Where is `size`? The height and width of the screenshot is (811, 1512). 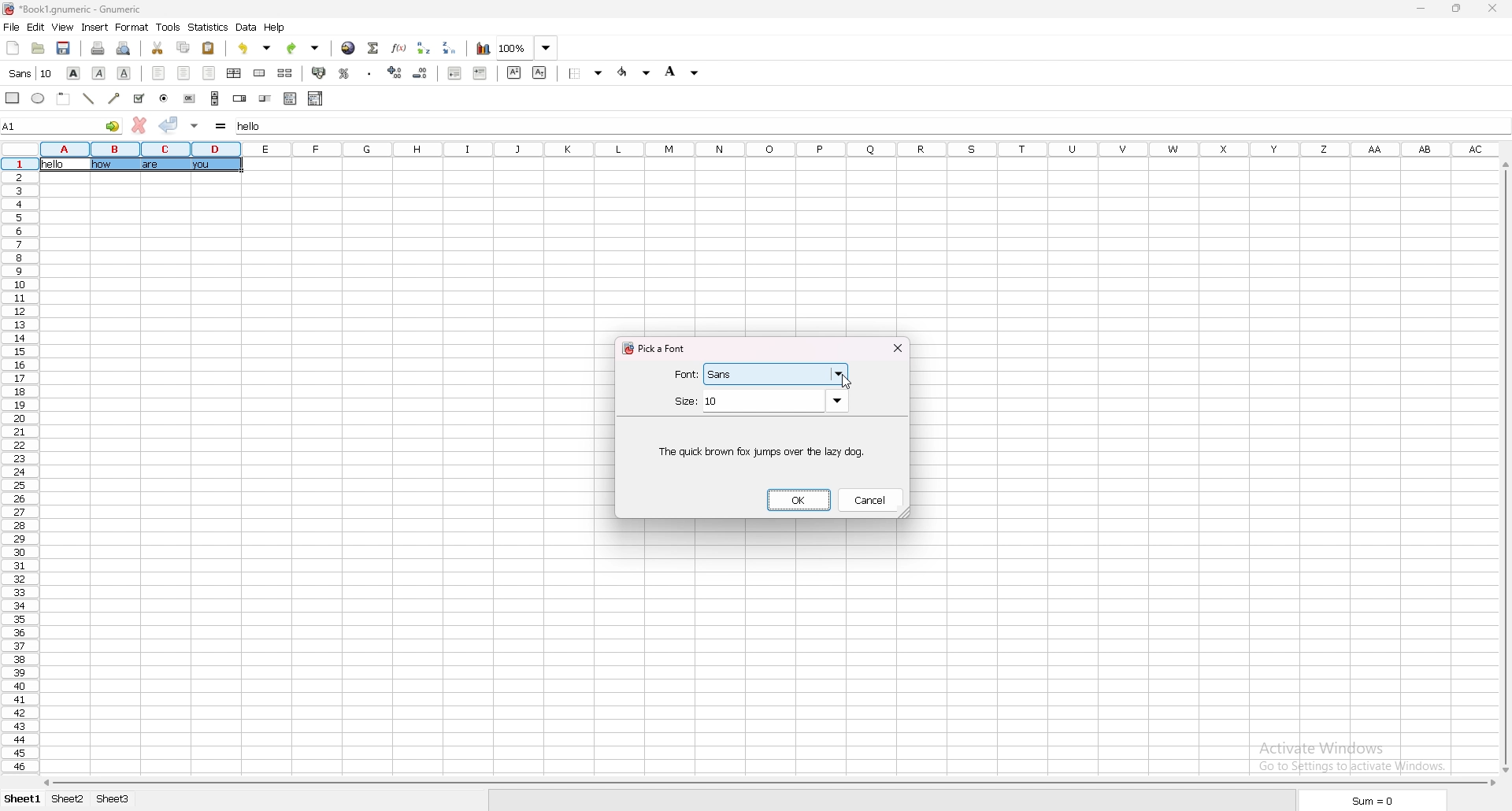
size is located at coordinates (758, 400).